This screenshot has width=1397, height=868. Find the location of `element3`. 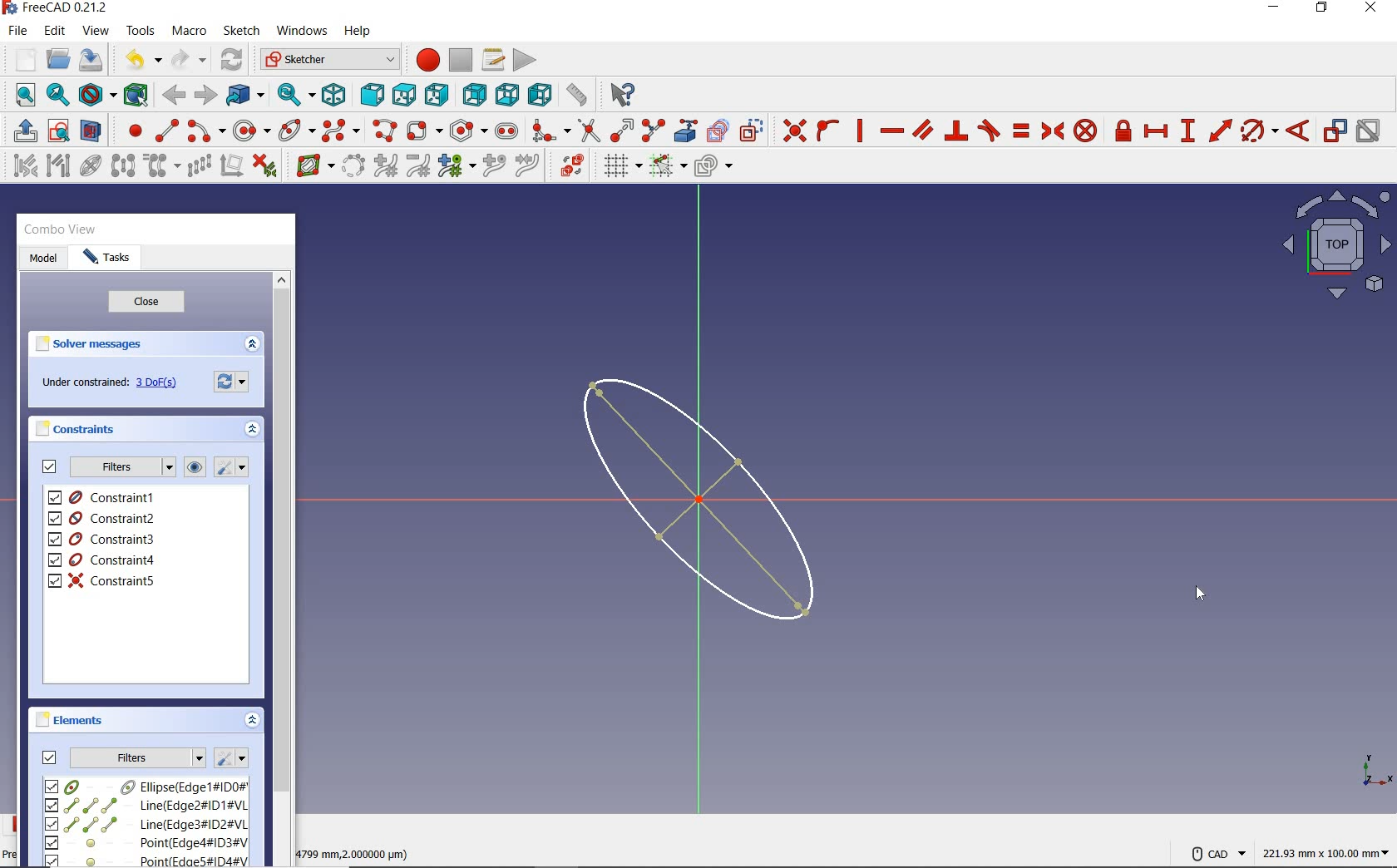

element3 is located at coordinates (146, 824).